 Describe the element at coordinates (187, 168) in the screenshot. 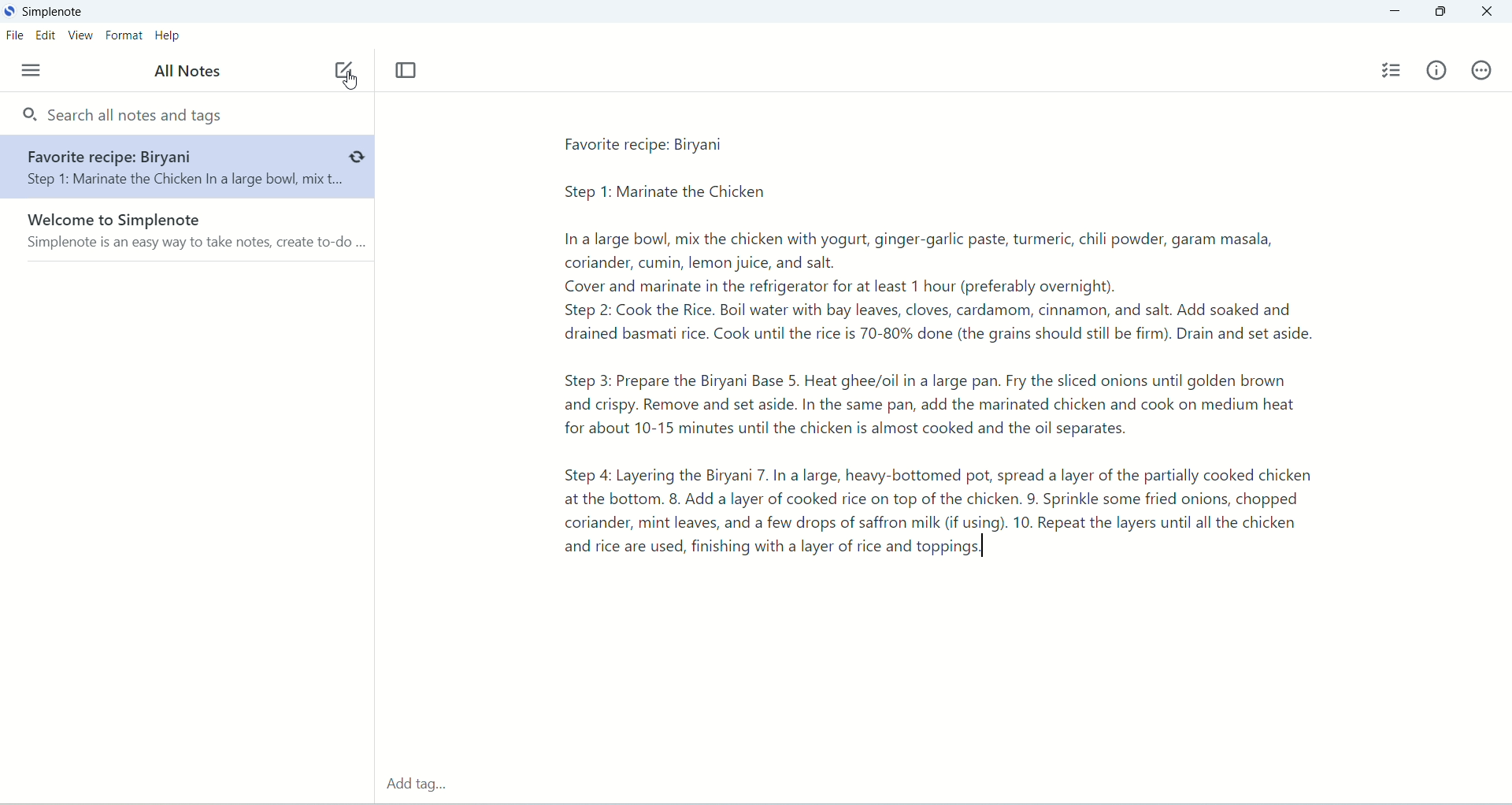

I see `favorite recipe note` at that location.